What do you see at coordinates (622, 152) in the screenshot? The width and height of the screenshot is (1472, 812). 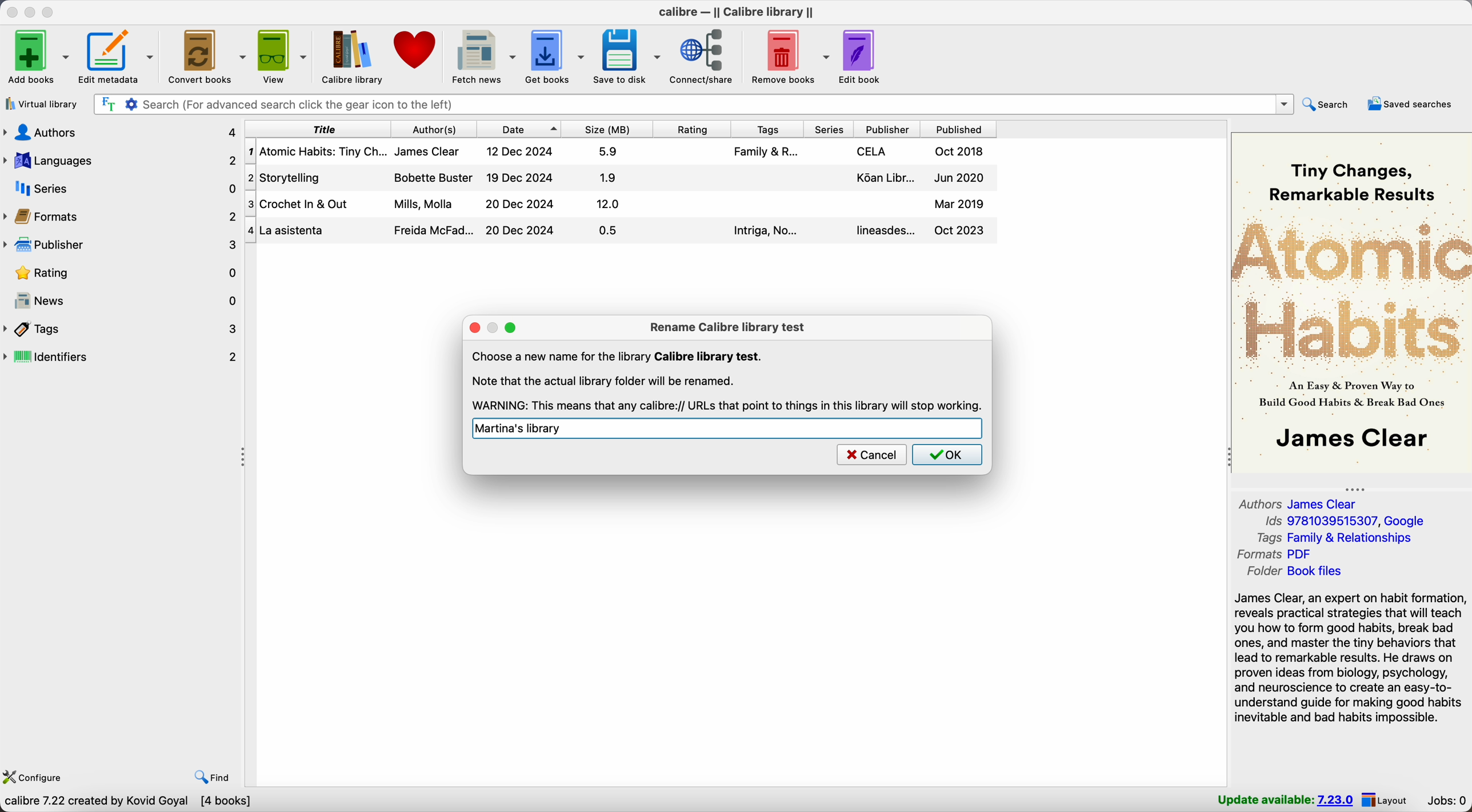 I see `Atomic Habitis: Tiny Changes... book` at bounding box center [622, 152].